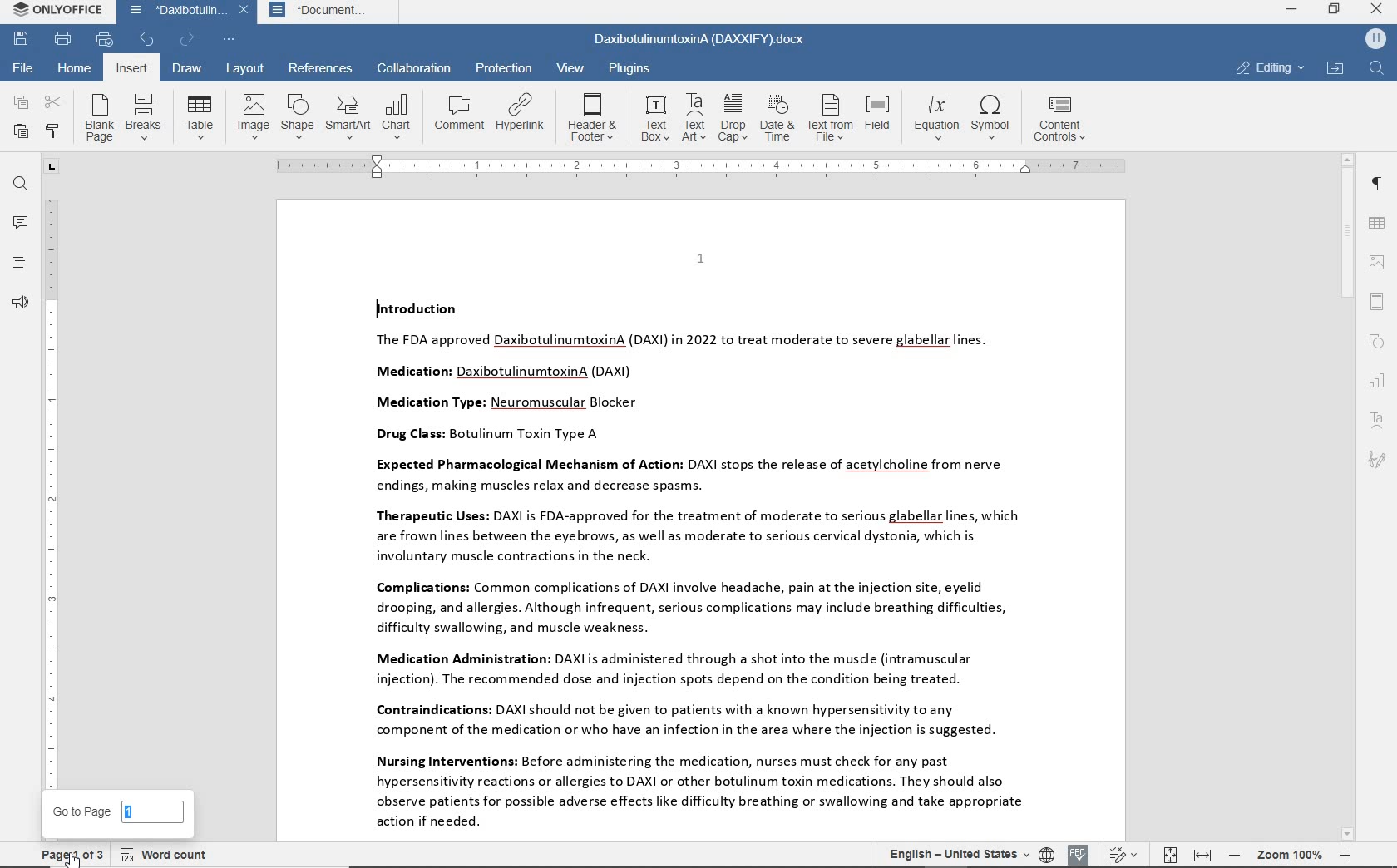 The image size is (1397, 868). What do you see at coordinates (1378, 69) in the screenshot?
I see `find` at bounding box center [1378, 69].